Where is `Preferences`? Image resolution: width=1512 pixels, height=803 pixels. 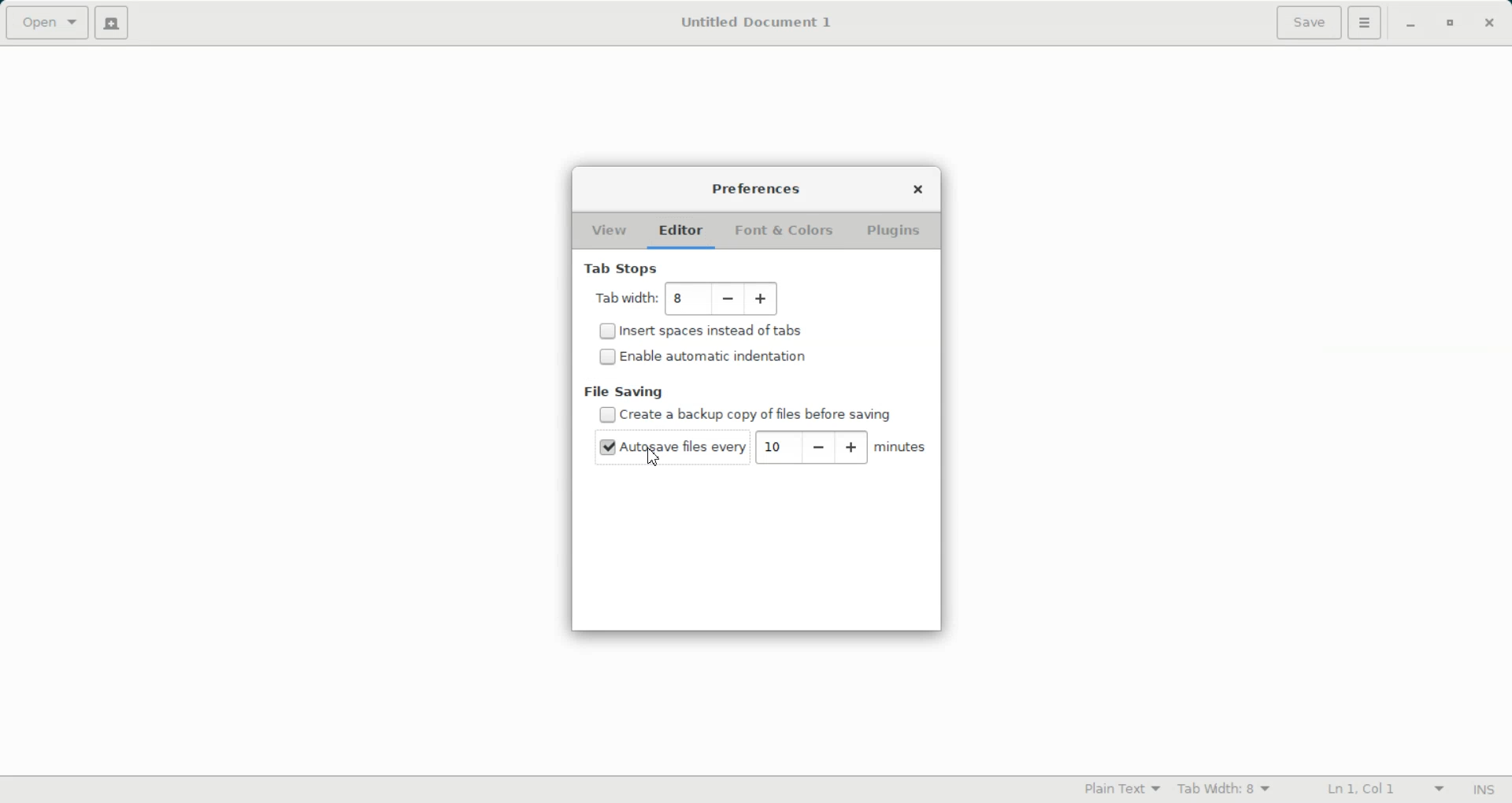 Preferences is located at coordinates (756, 190).